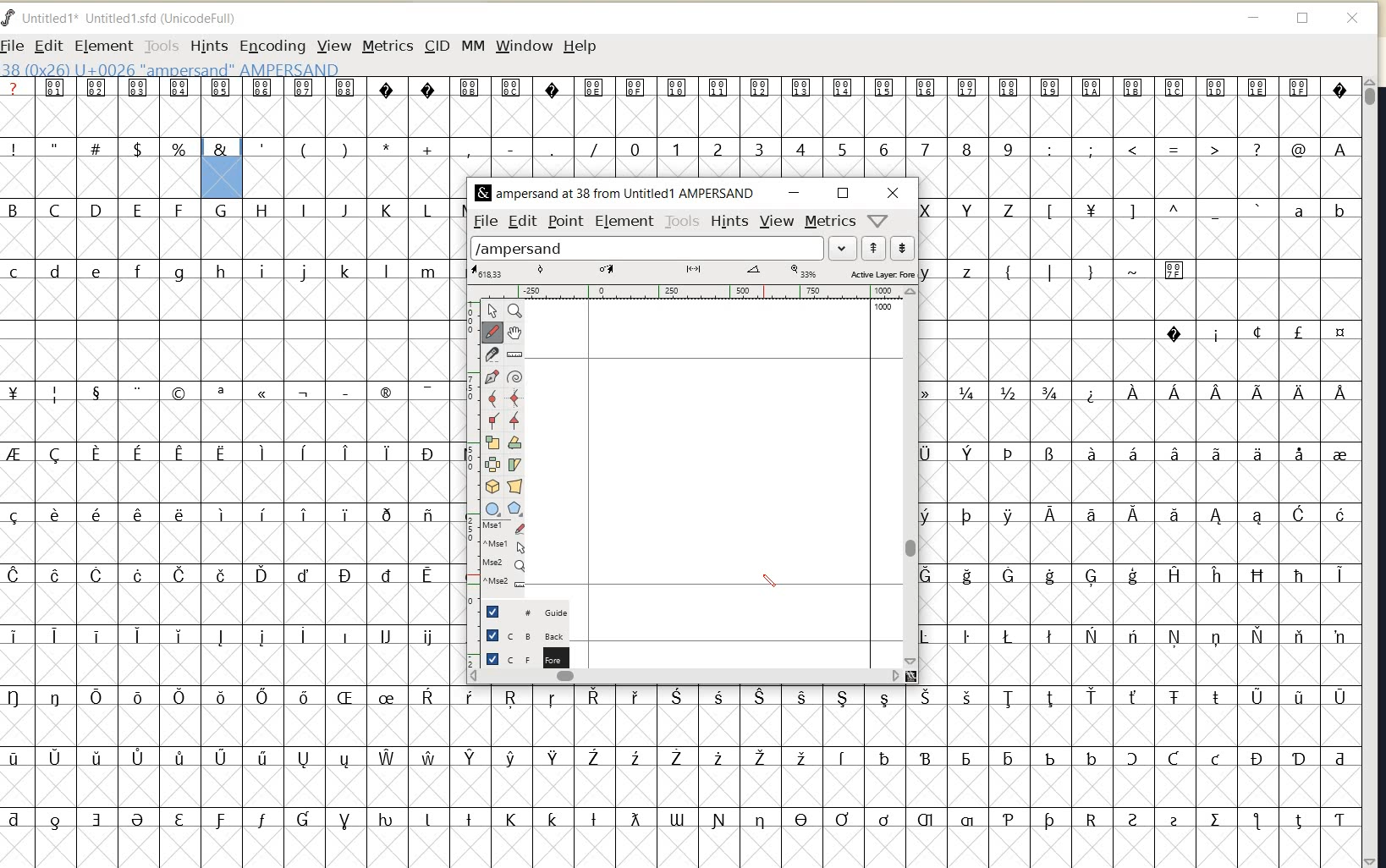 This screenshot has width=1386, height=868. I want to click on SCROLLBAR, so click(911, 477).